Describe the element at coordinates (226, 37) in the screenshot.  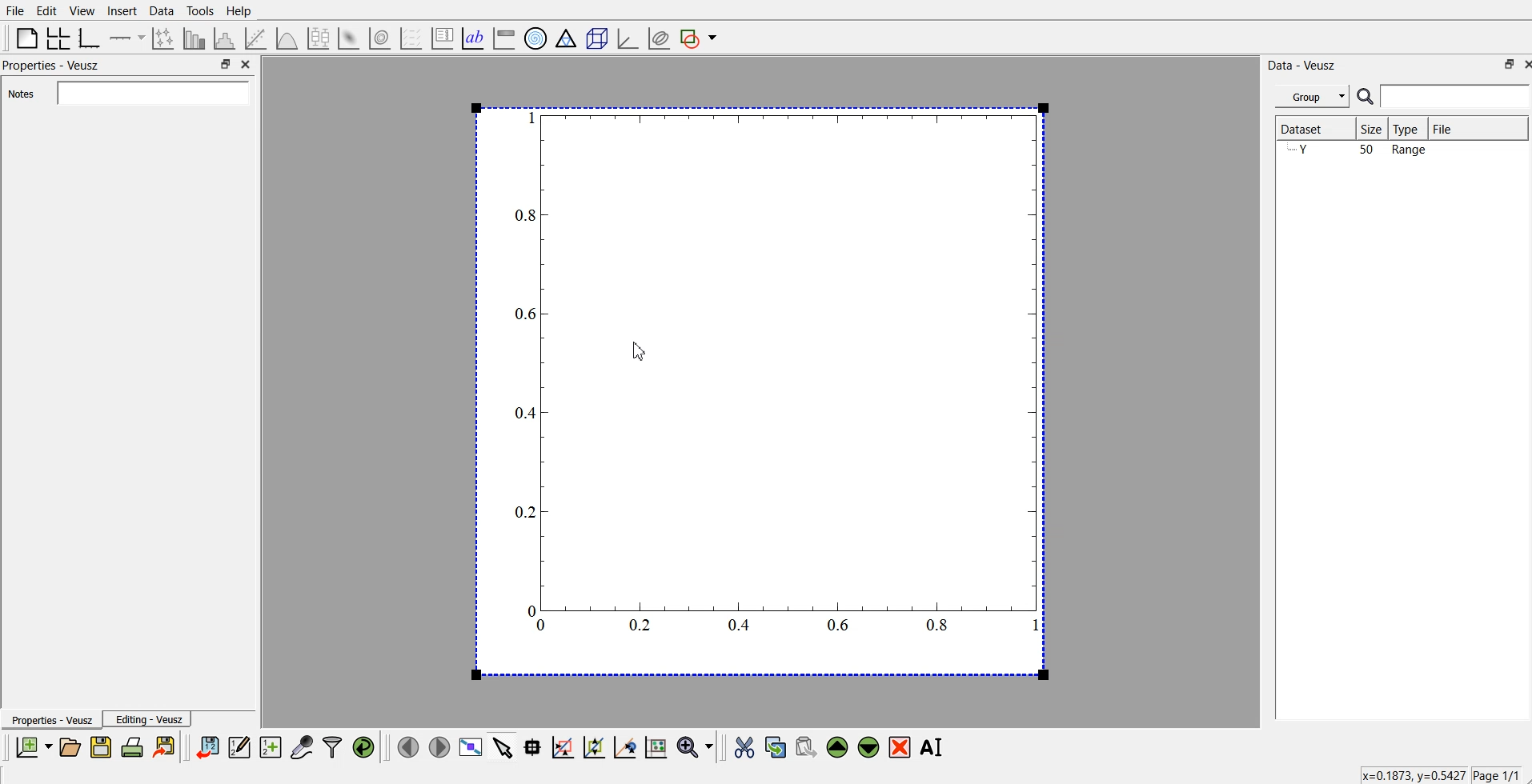
I see `histogram` at that location.